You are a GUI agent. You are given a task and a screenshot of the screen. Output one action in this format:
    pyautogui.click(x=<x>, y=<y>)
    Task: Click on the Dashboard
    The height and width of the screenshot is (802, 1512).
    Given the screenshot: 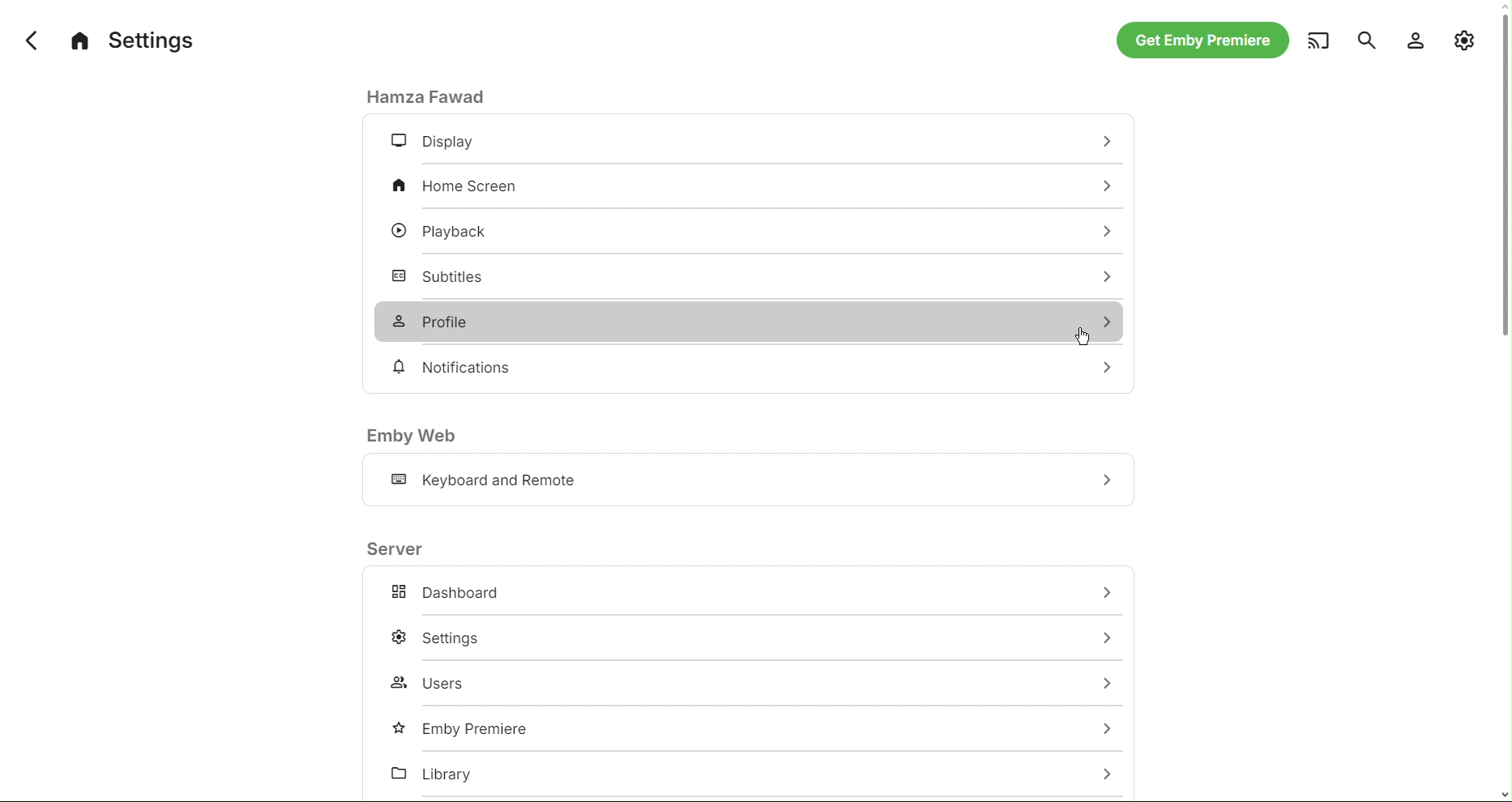 What is the action you would take?
    pyautogui.click(x=445, y=593)
    